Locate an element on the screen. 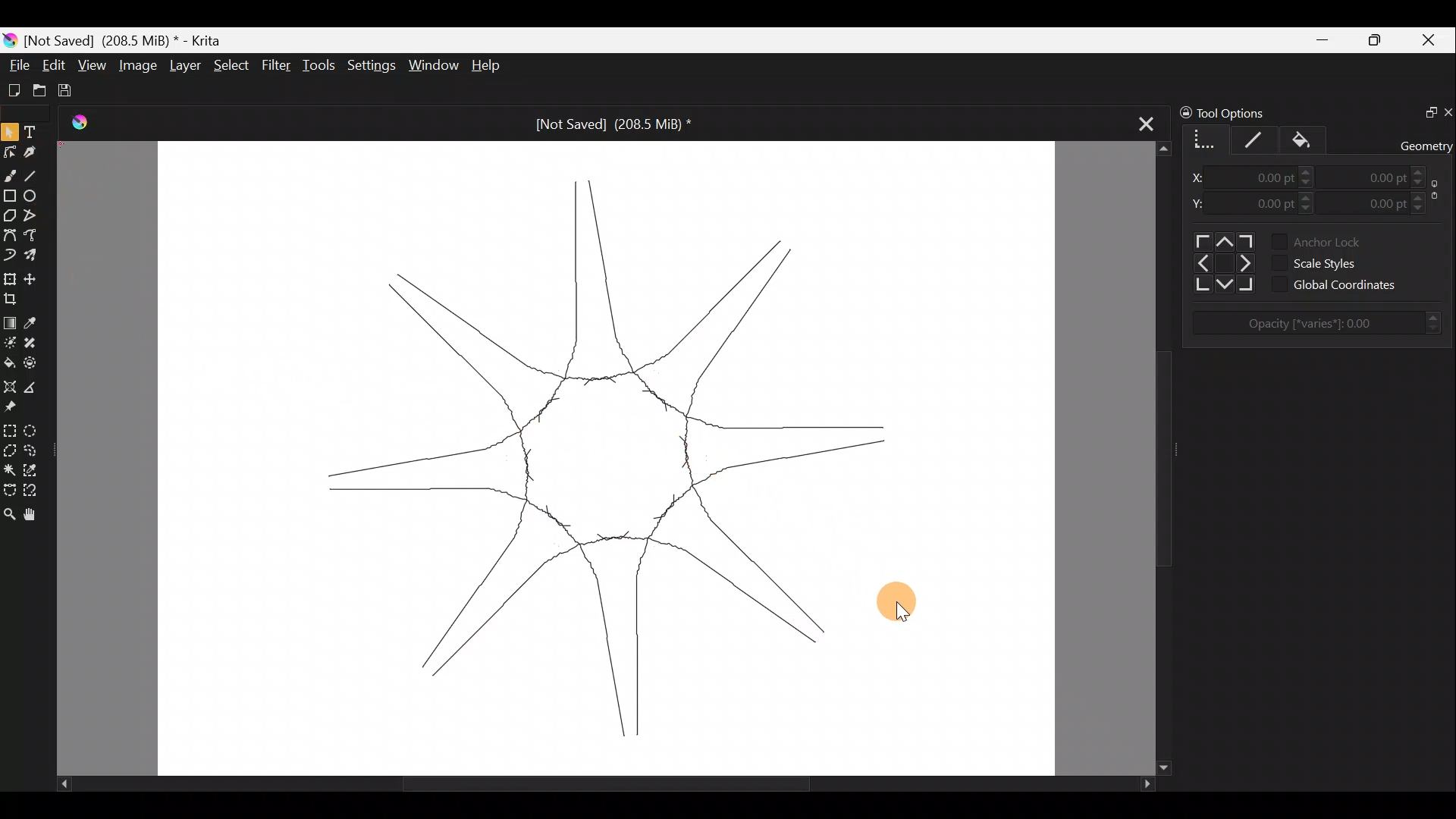 The width and height of the screenshot is (1456, 819). 0.00pt is located at coordinates (1266, 204).